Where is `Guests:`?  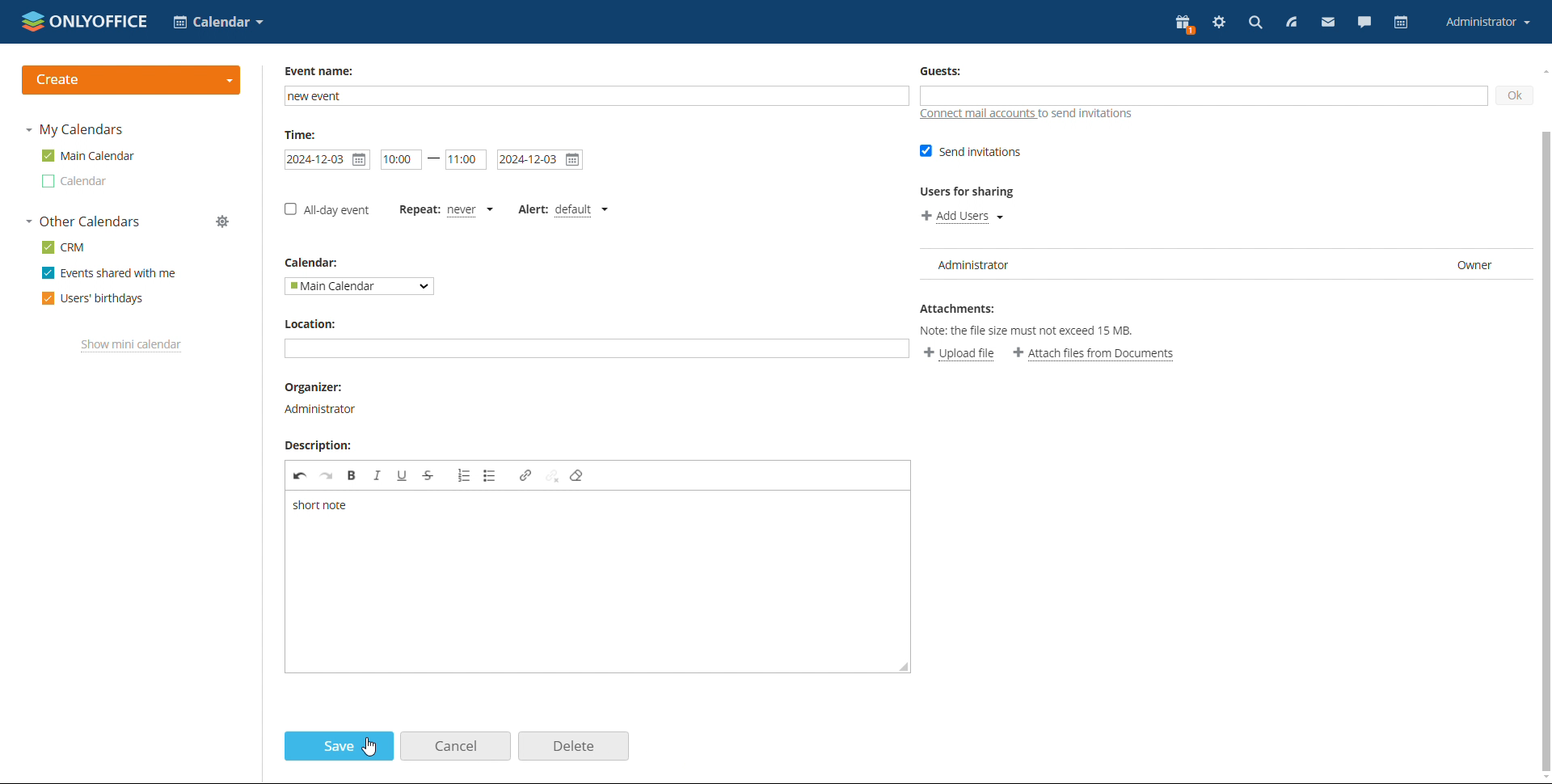 Guests: is located at coordinates (946, 69).